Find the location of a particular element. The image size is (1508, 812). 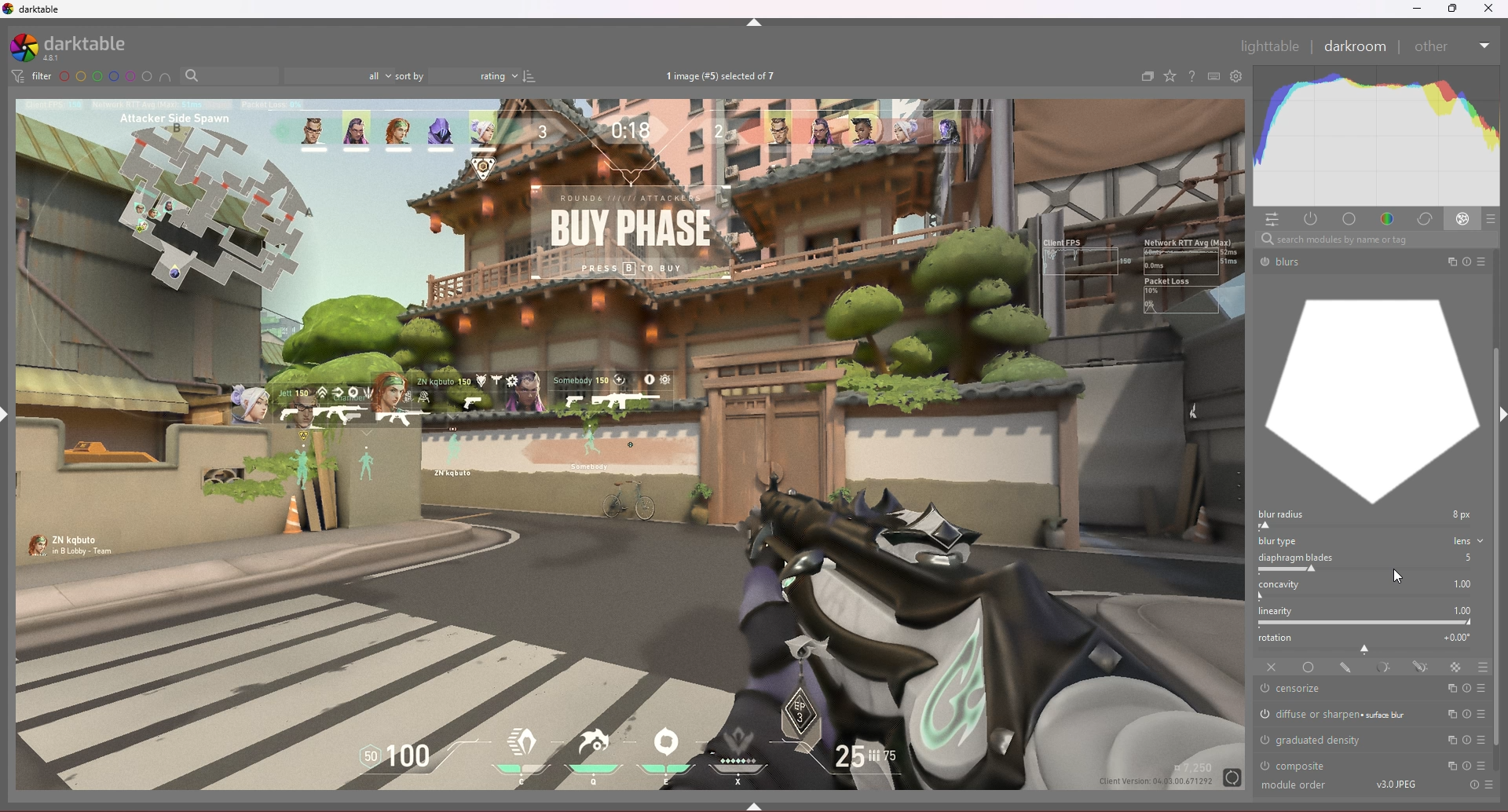

multi instances actions is located at coordinates (1448, 766).